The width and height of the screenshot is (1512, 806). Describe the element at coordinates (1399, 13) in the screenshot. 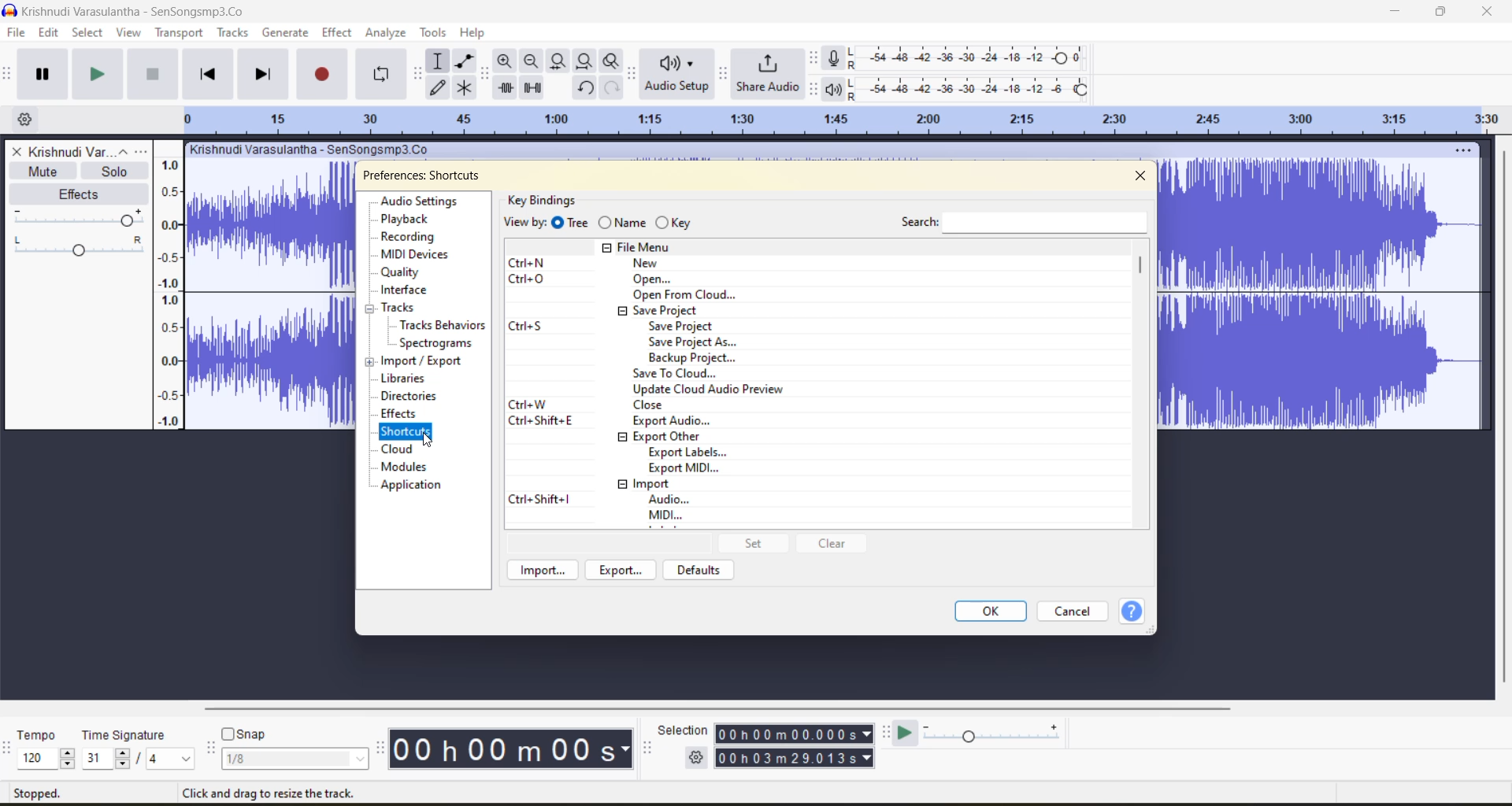

I see `minimize` at that location.